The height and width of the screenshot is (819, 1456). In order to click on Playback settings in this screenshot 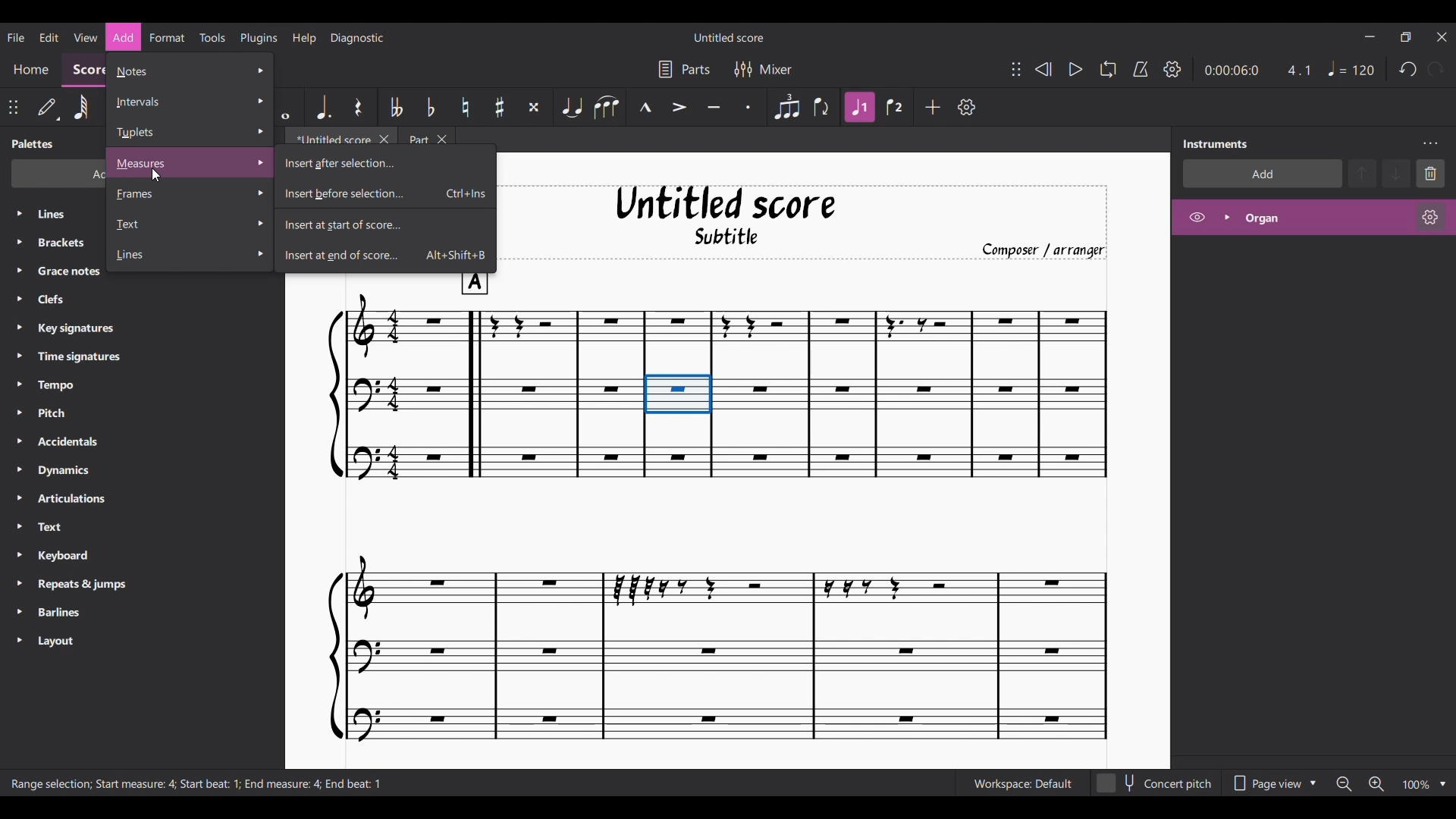, I will do `click(1172, 69)`.